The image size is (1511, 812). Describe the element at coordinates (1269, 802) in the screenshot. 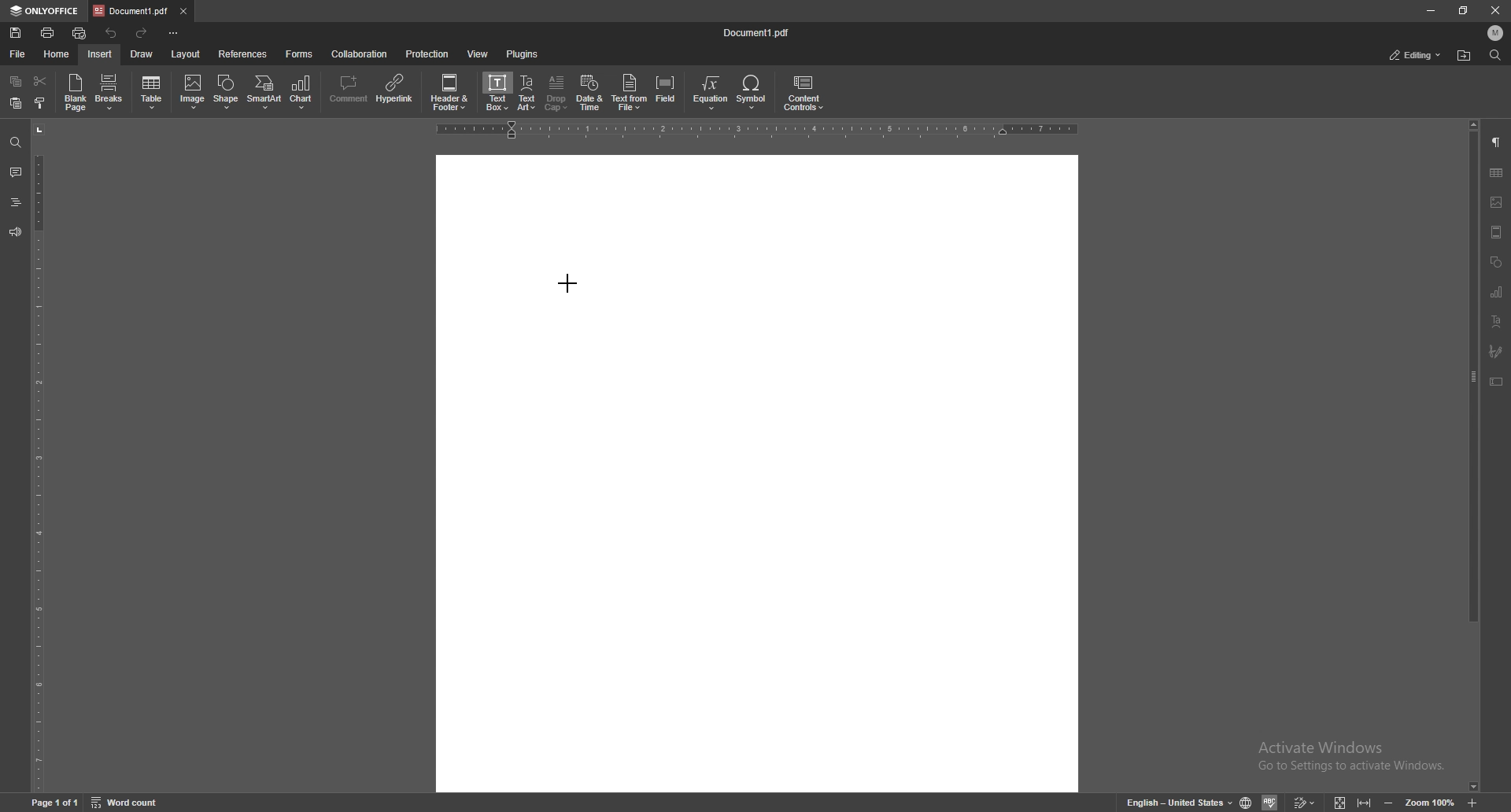

I see `spell check` at that location.